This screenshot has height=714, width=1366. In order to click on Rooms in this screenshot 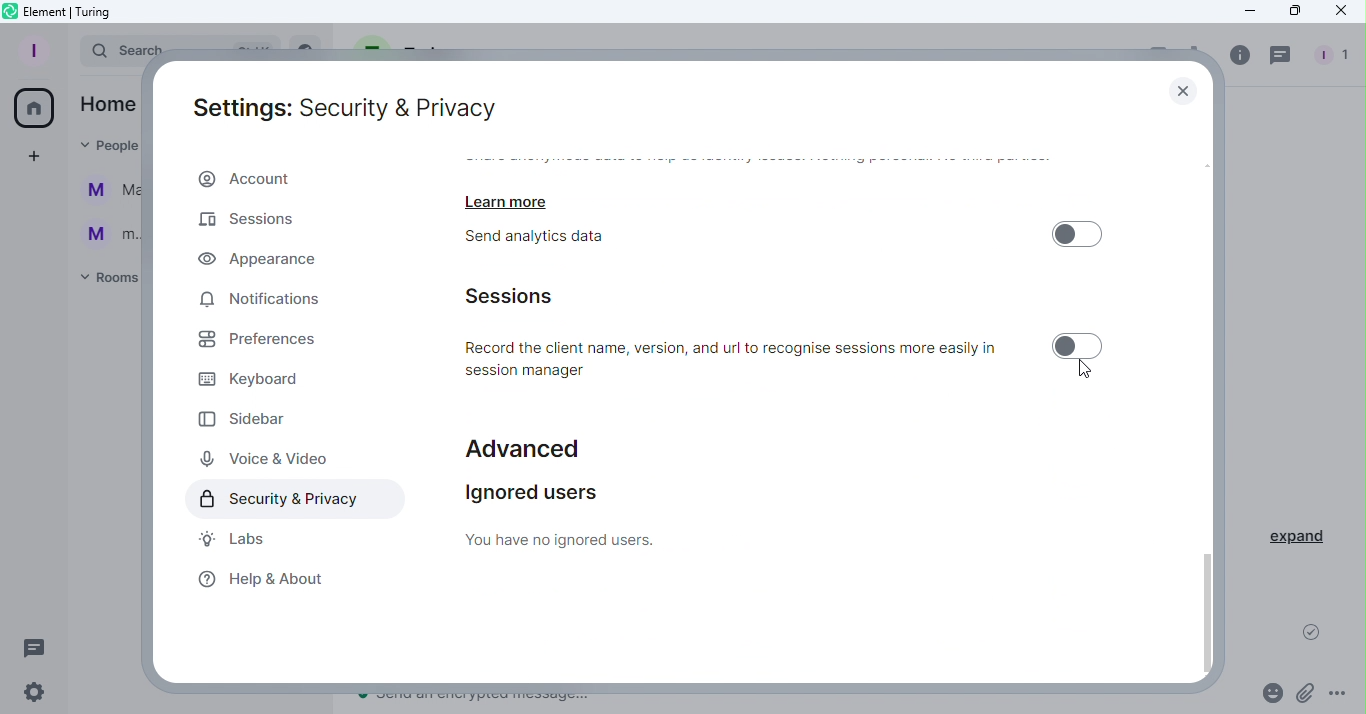, I will do `click(106, 280)`.